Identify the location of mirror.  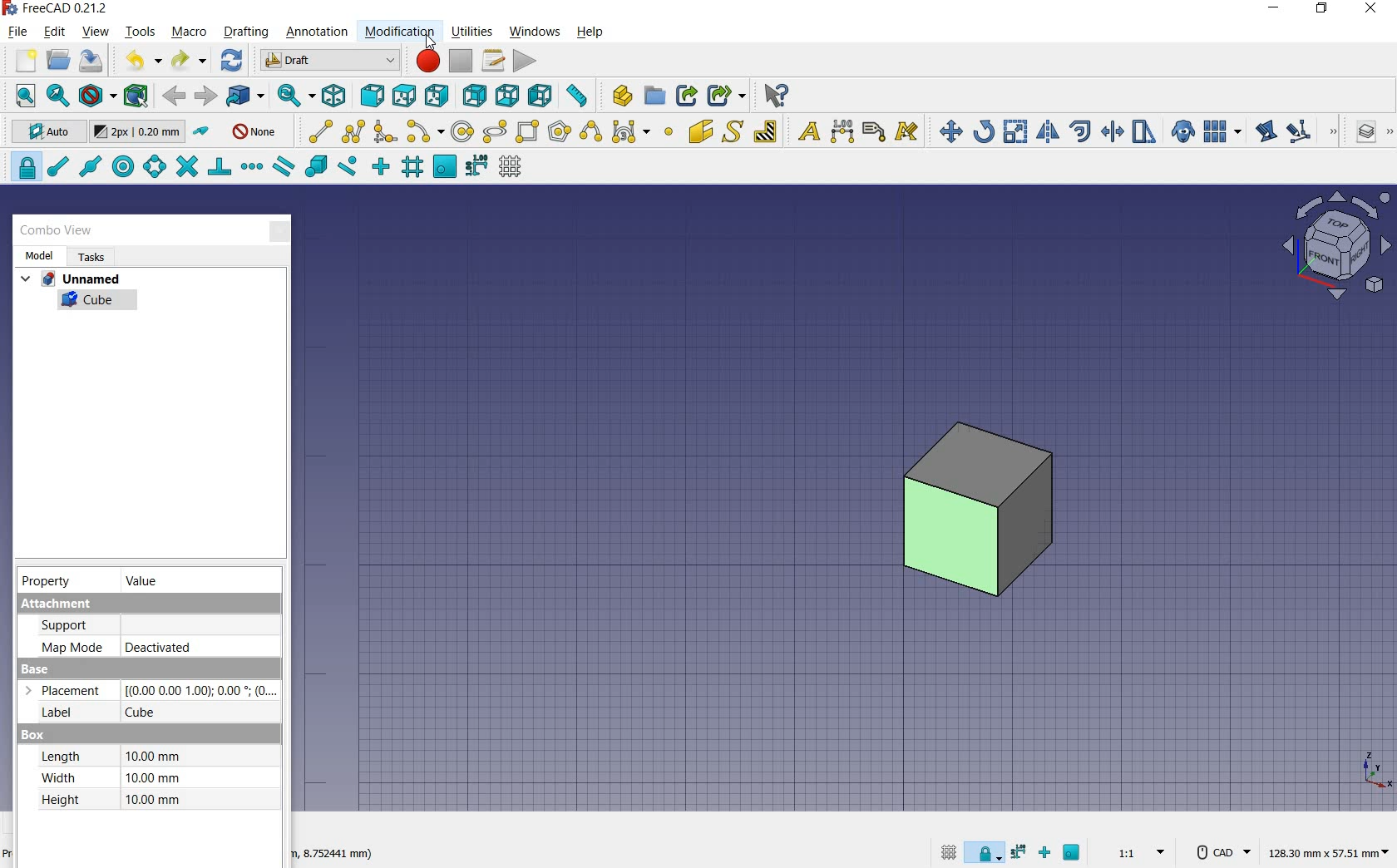
(1049, 131).